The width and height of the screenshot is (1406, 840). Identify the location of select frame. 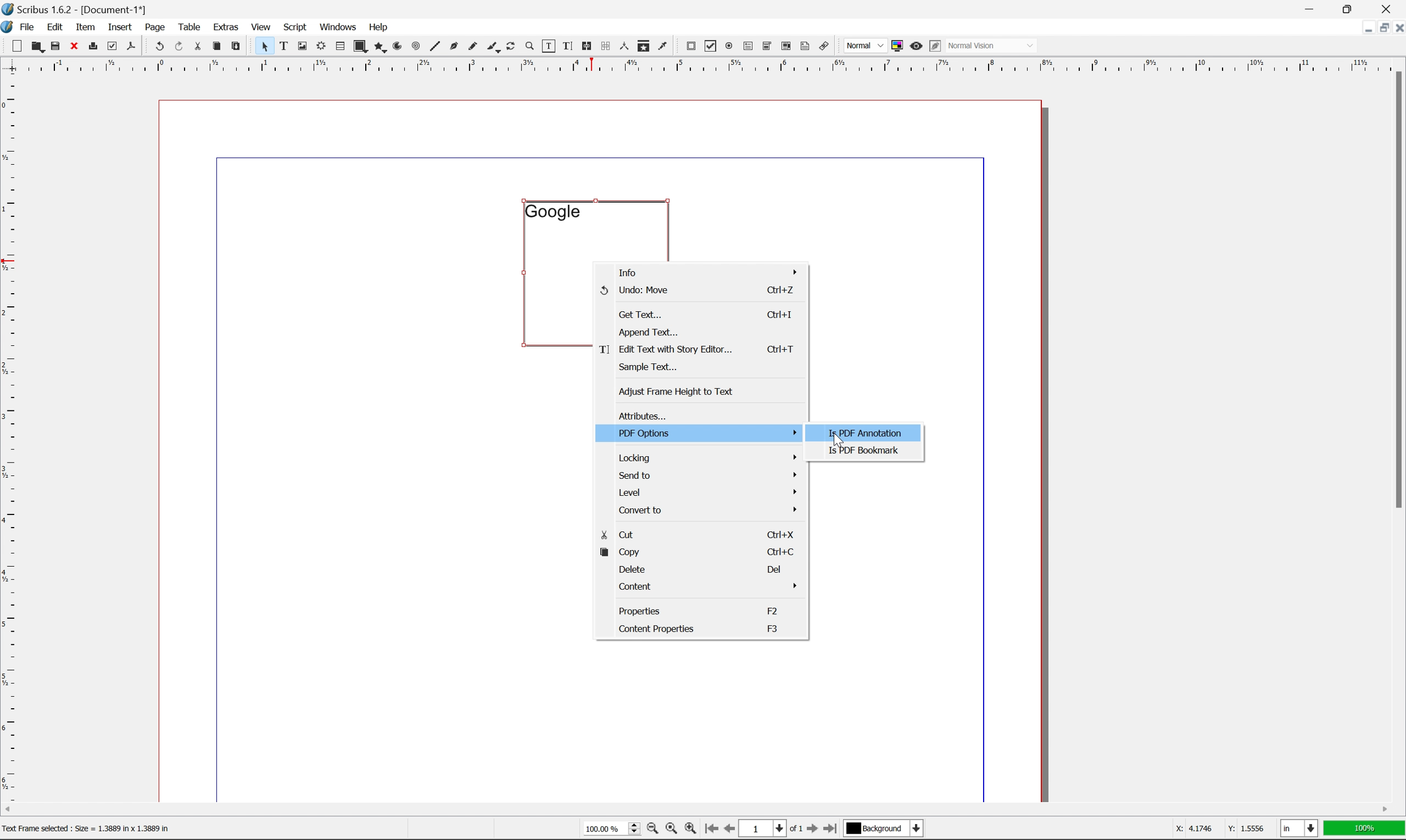
(264, 48).